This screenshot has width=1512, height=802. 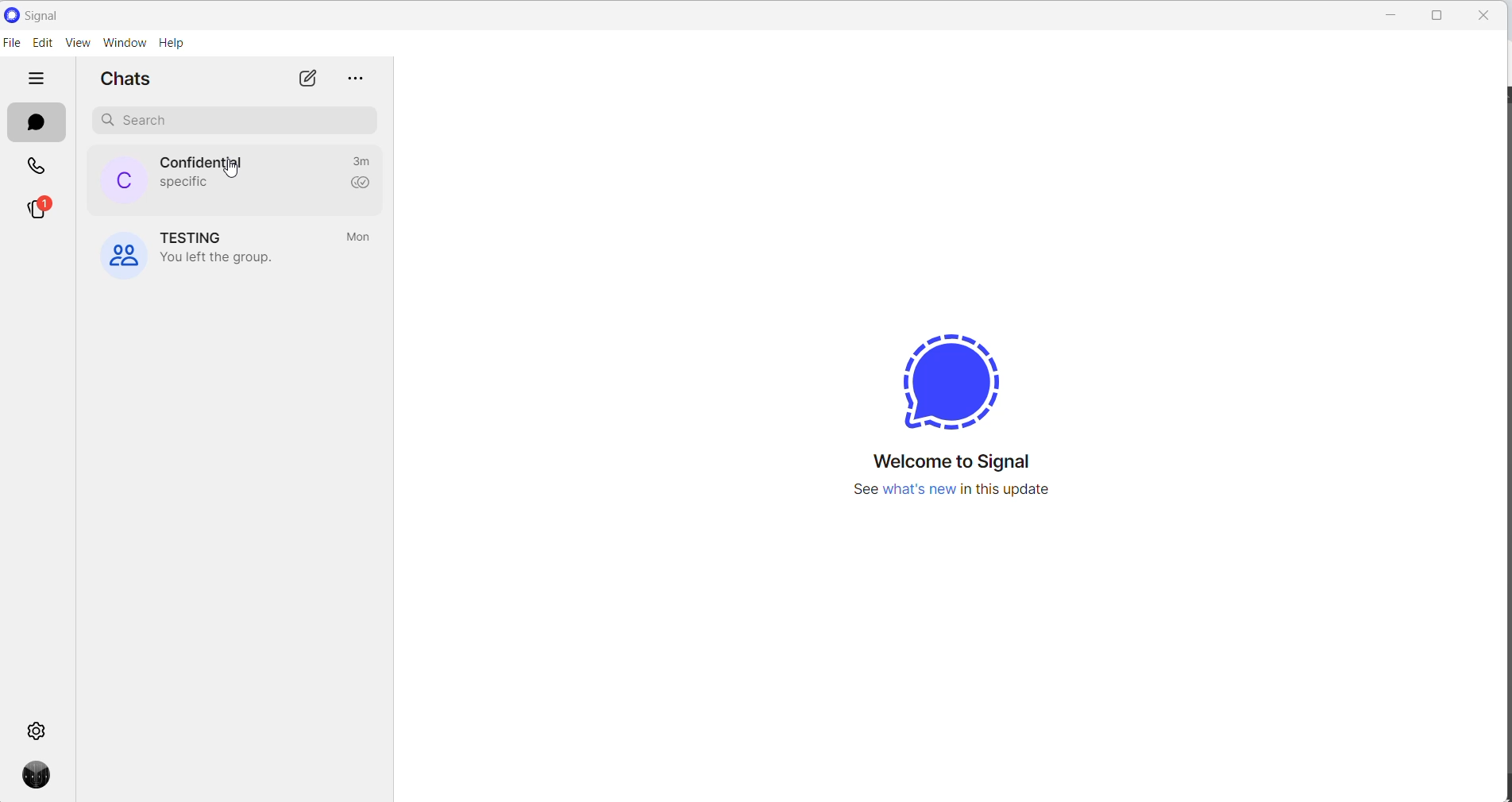 I want to click on contact name, so click(x=201, y=161).